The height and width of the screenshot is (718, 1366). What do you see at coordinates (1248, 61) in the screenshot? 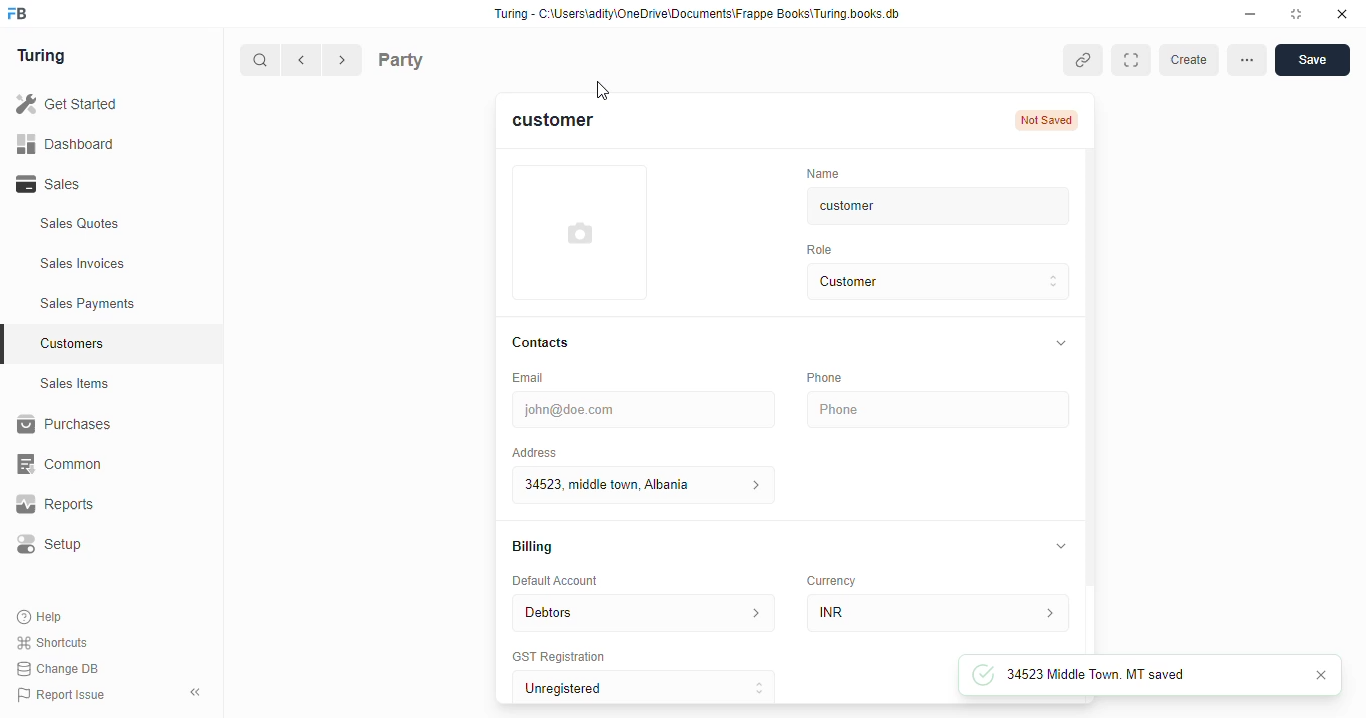
I see `more options` at bounding box center [1248, 61].